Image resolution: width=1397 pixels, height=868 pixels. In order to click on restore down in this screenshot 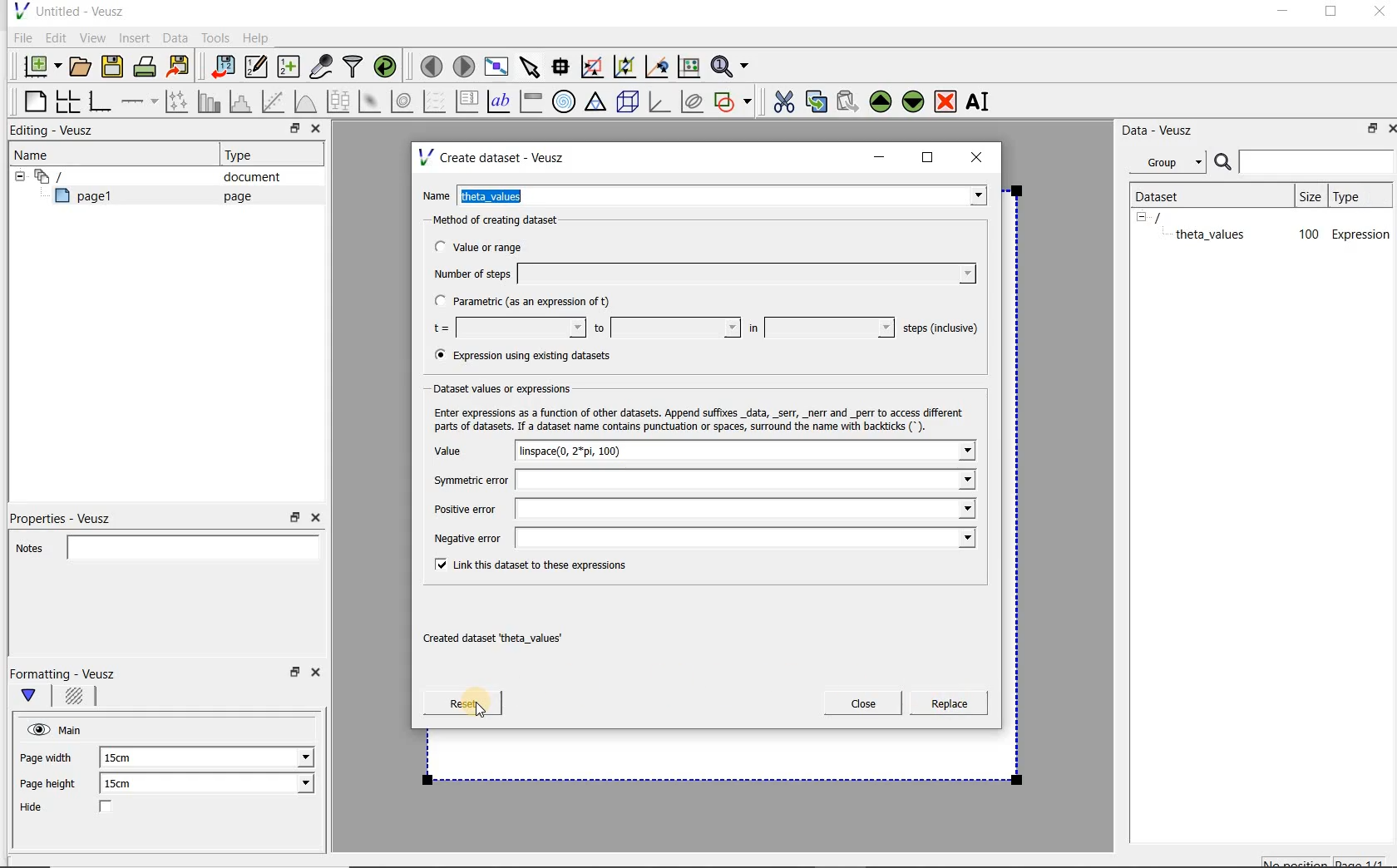, I will do `click(1368, 131)`.